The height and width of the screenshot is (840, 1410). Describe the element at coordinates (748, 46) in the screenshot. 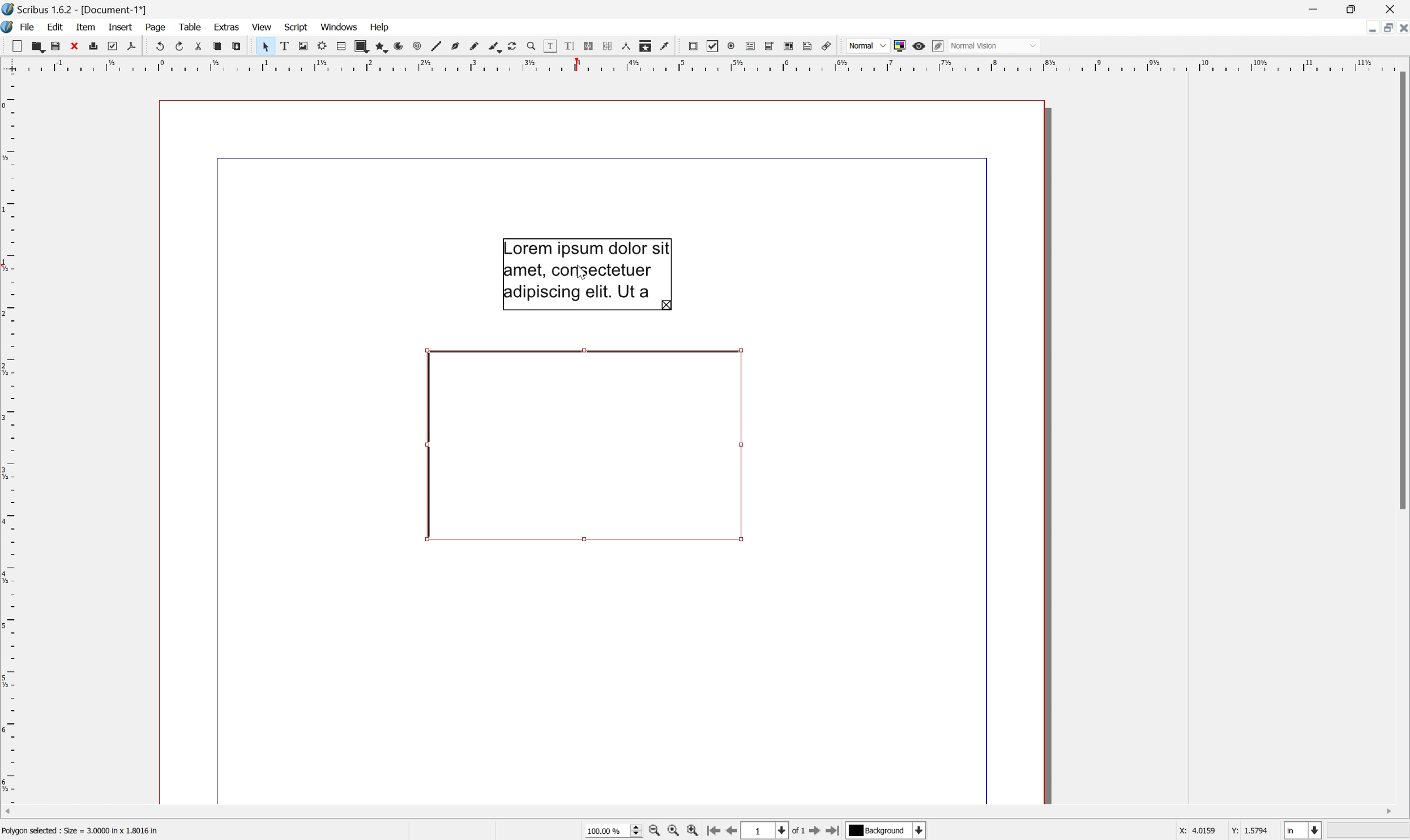

I see `PDF text field` at that location.